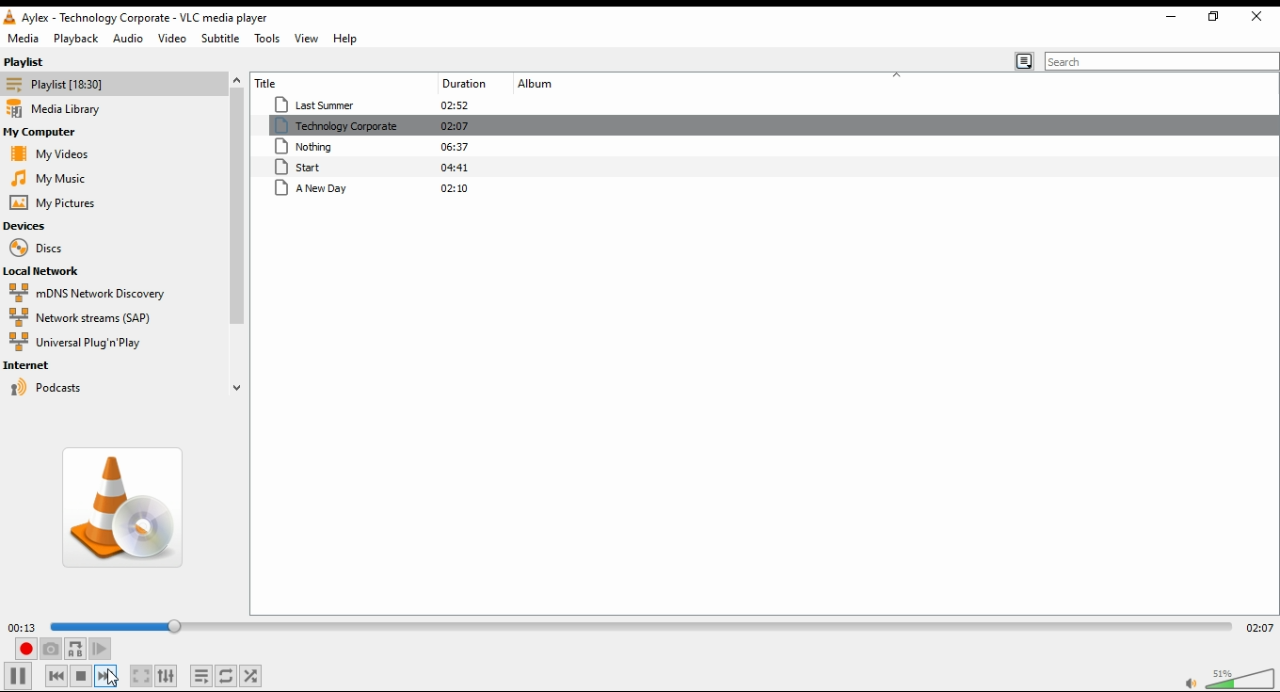 This screenshot has height=692, width=1280. Describe the element at coordinates (305, 39) in the screenshot. I see `view` at that location.